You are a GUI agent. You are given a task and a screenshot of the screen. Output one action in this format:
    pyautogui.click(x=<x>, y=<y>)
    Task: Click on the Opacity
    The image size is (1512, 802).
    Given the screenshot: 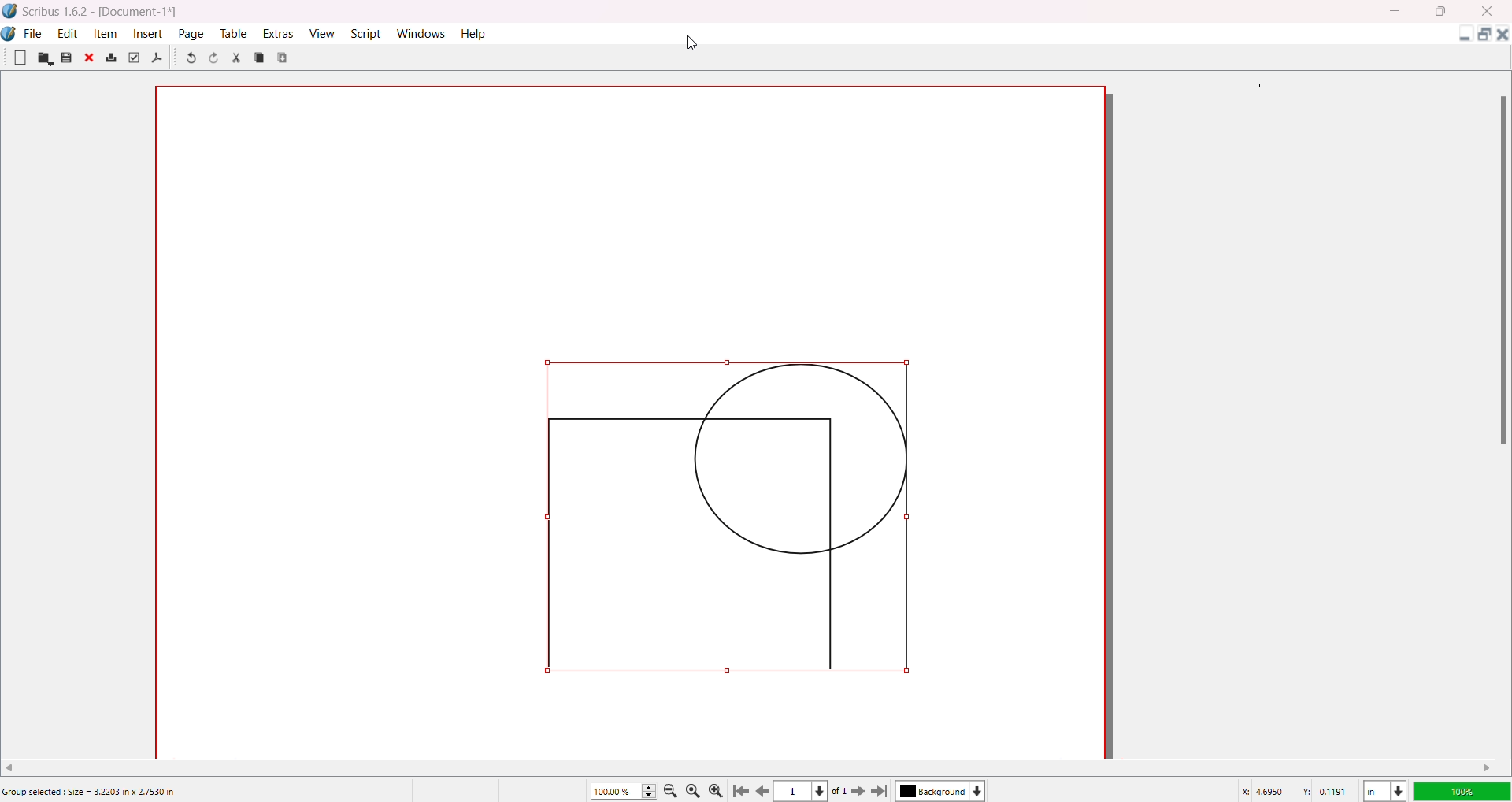 What is the action you would take?
    pyautogui.click(x=1461, y=789)
    